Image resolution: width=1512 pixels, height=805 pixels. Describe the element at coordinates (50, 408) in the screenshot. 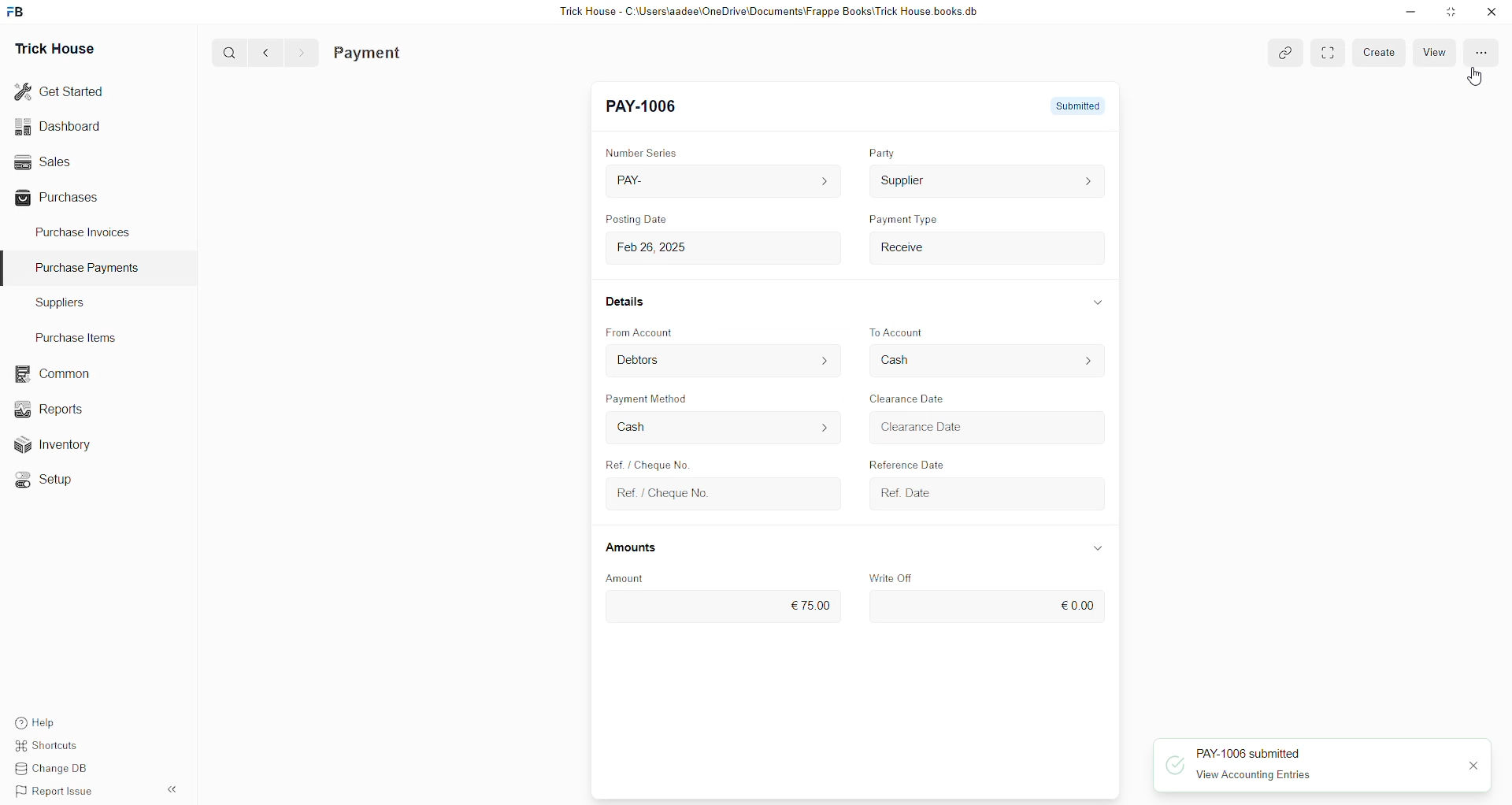

I see `Reports` at that location.